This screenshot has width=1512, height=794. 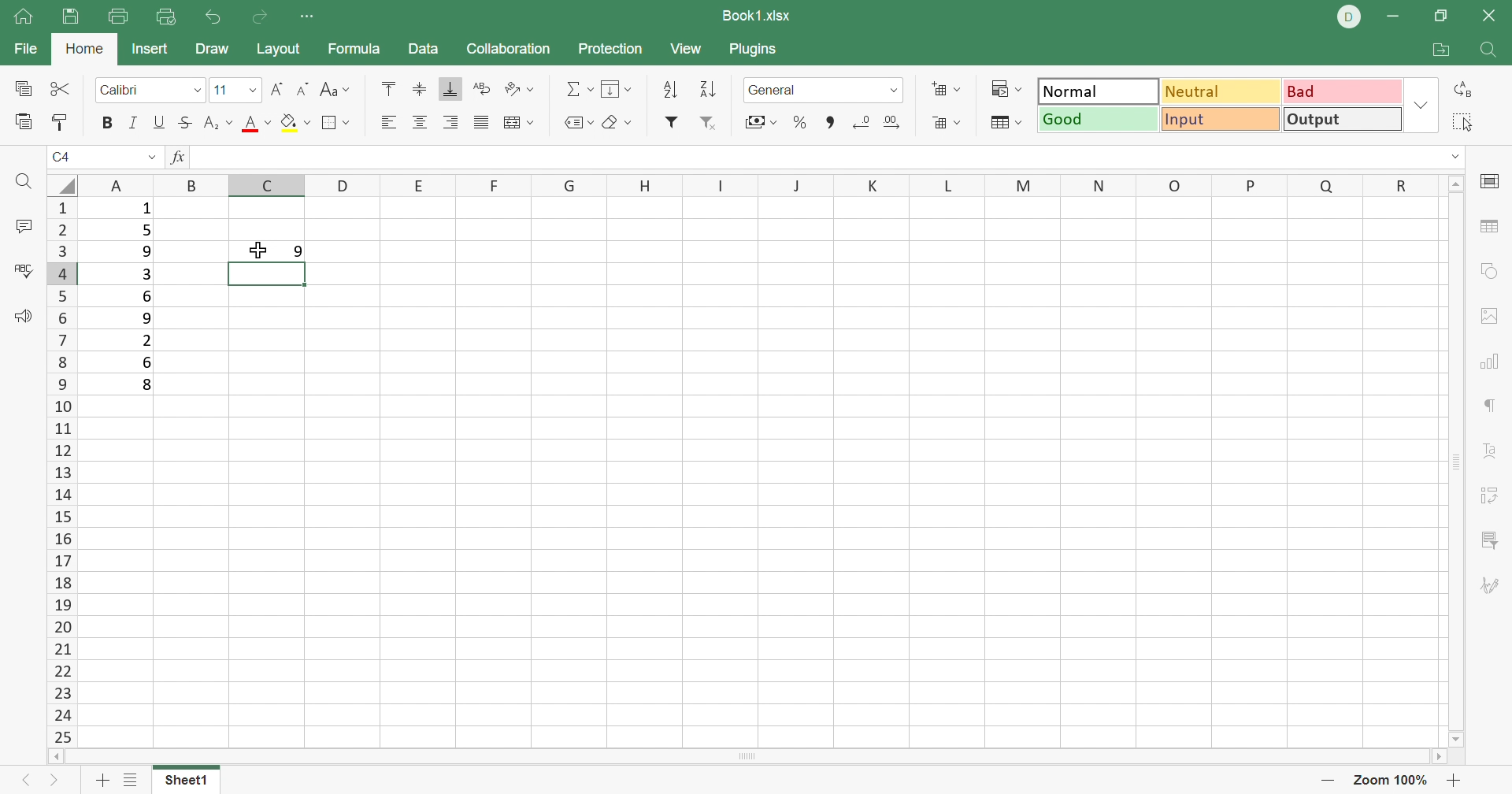 I want to click on Layout, so click(x=281, y=49).